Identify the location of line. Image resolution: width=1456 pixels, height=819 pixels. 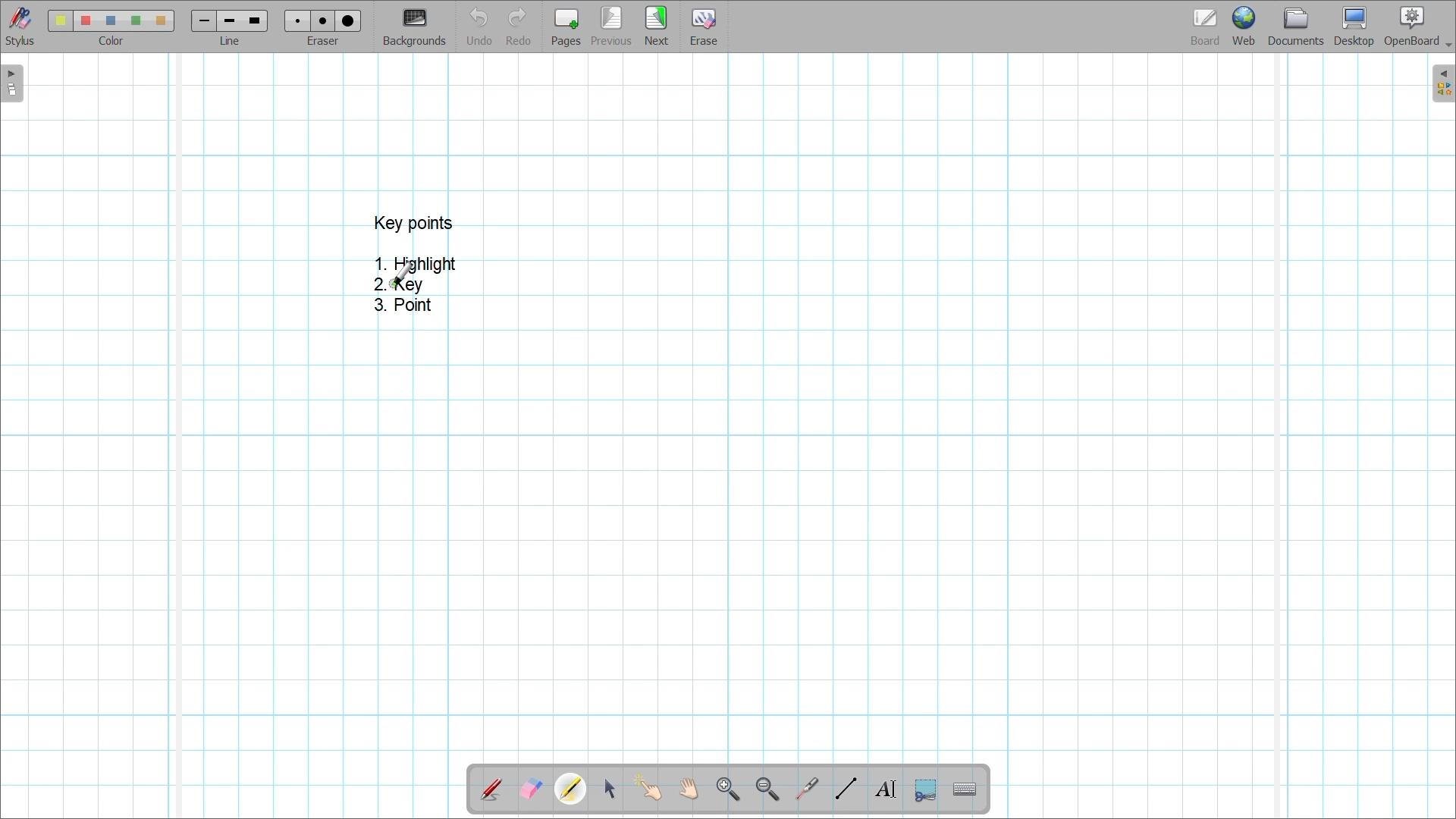
(234, 42).